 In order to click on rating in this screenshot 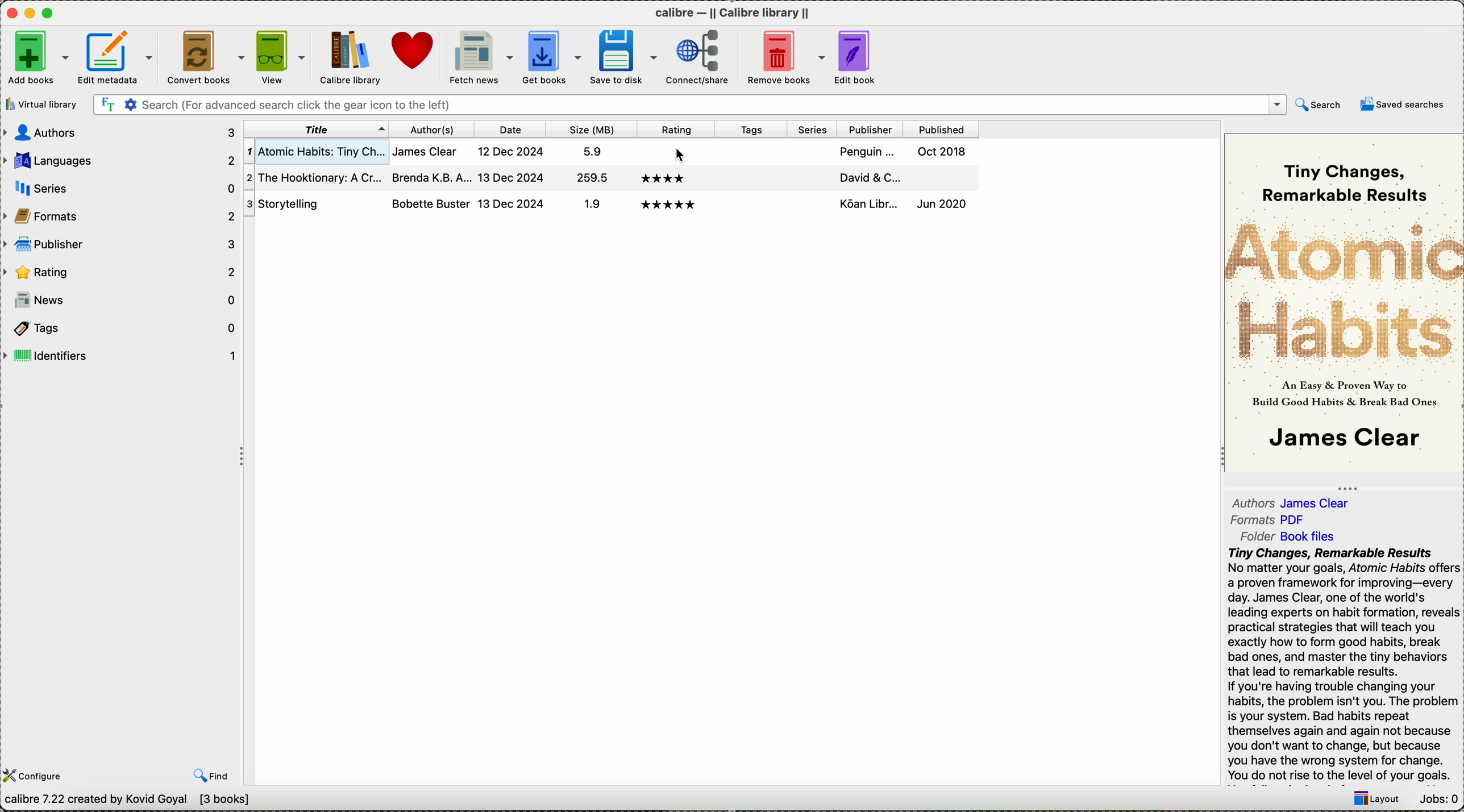, I will do `click(672, 129)`.